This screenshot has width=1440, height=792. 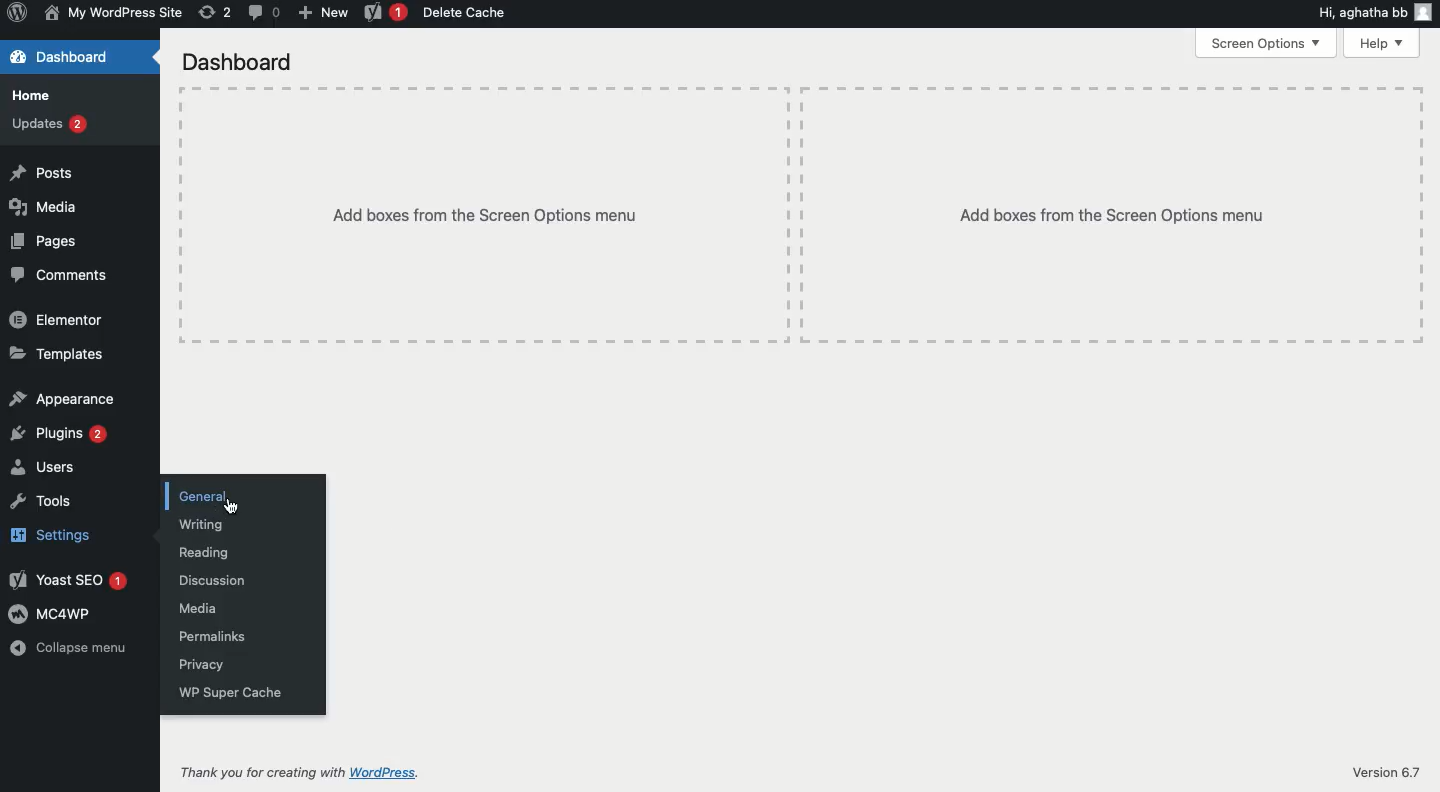 I want to click on Media, so click(x=197, y=608).